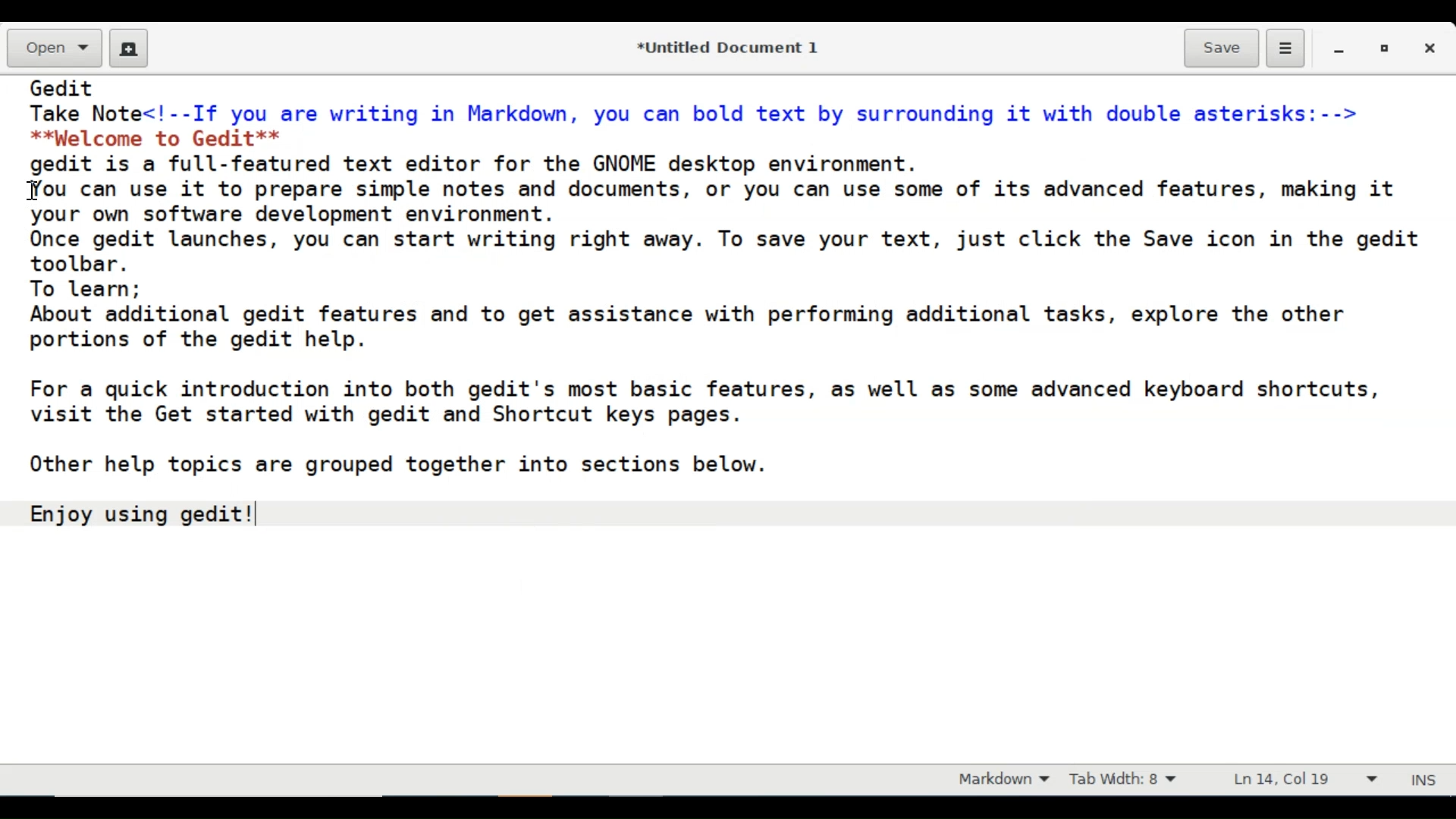  I want to click on Open, so click(52, 49).